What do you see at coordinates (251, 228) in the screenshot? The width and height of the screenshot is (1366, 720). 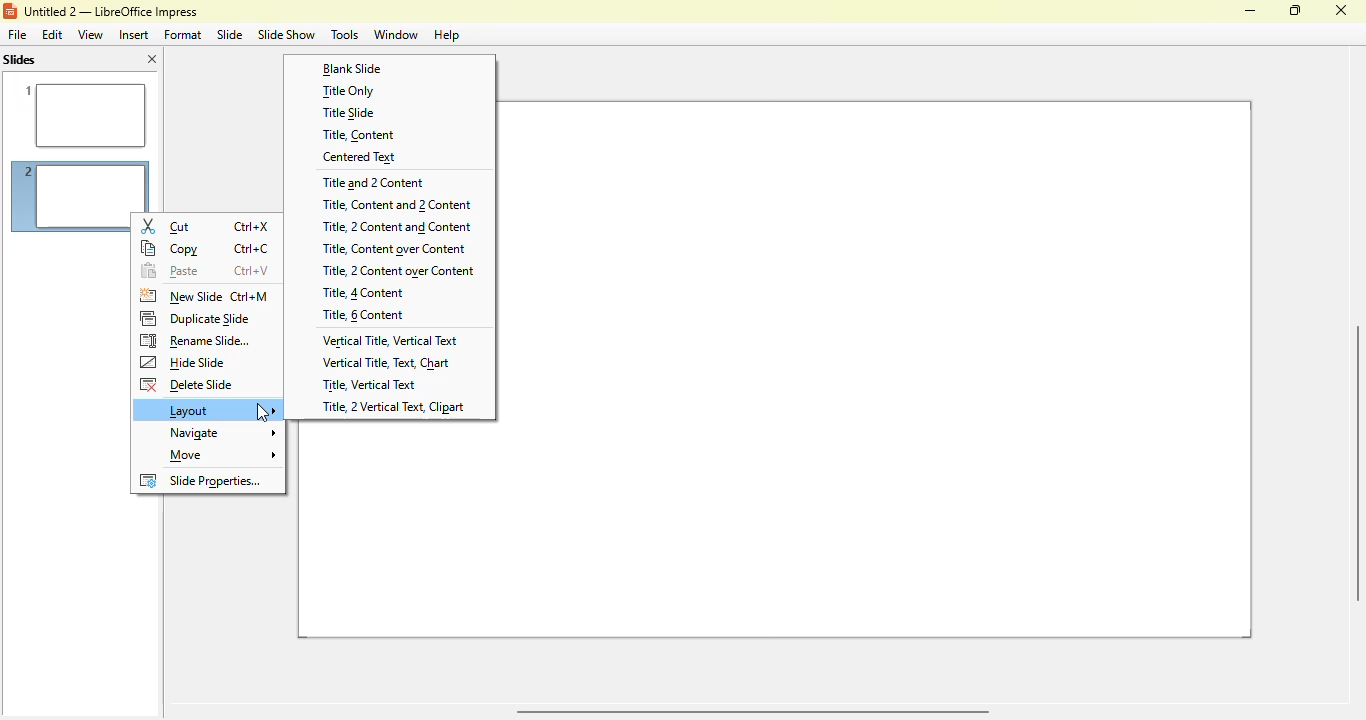 I see `shortcut for cut` at bounding box center [251, 228].